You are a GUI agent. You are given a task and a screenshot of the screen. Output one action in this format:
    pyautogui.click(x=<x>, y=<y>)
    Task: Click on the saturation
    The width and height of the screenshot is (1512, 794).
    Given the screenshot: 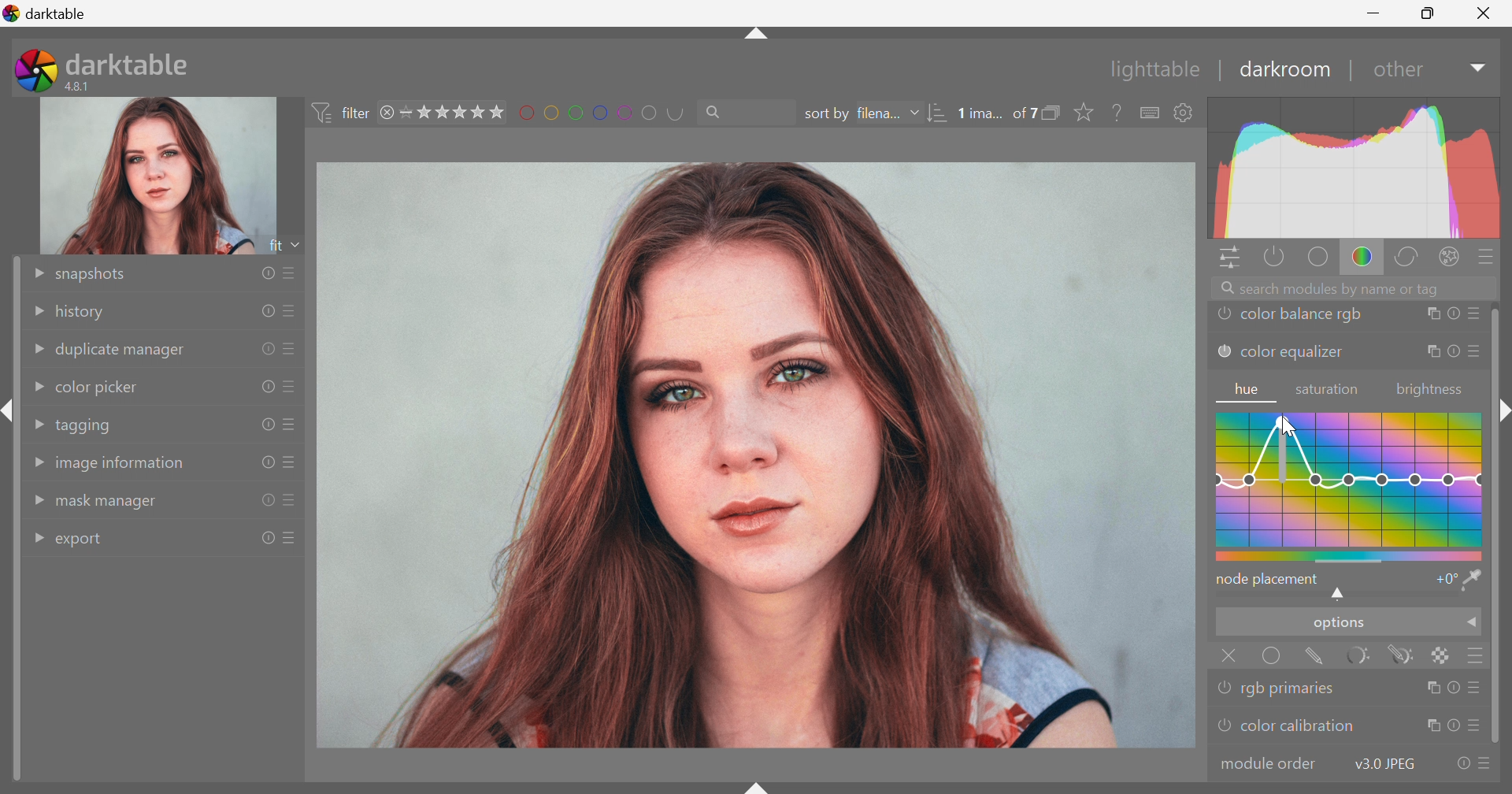 What is the action you would take?
    pyautogui.click(x=1330, y=390)
    